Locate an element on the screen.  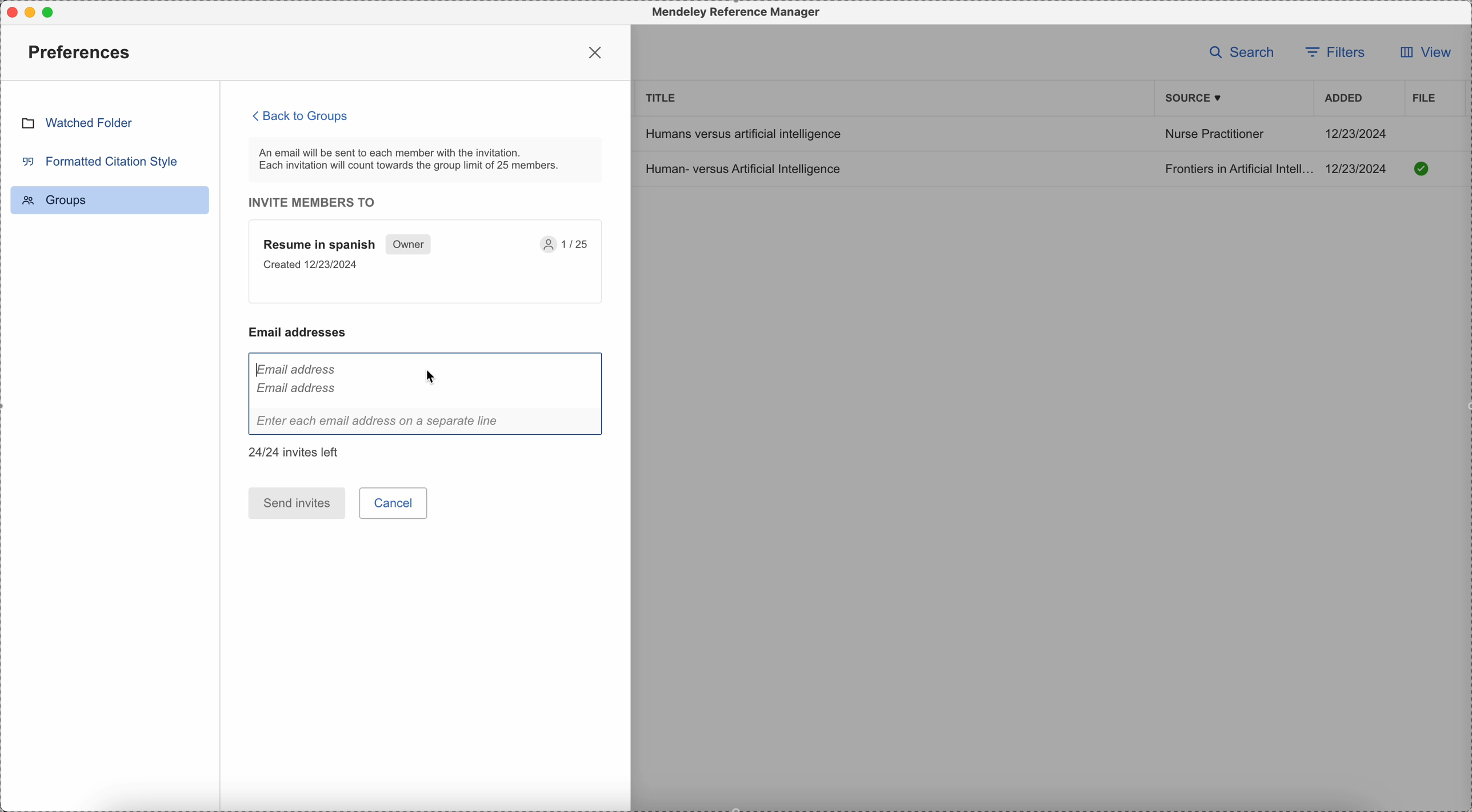
email addresses is located at coordinates (303, 332).